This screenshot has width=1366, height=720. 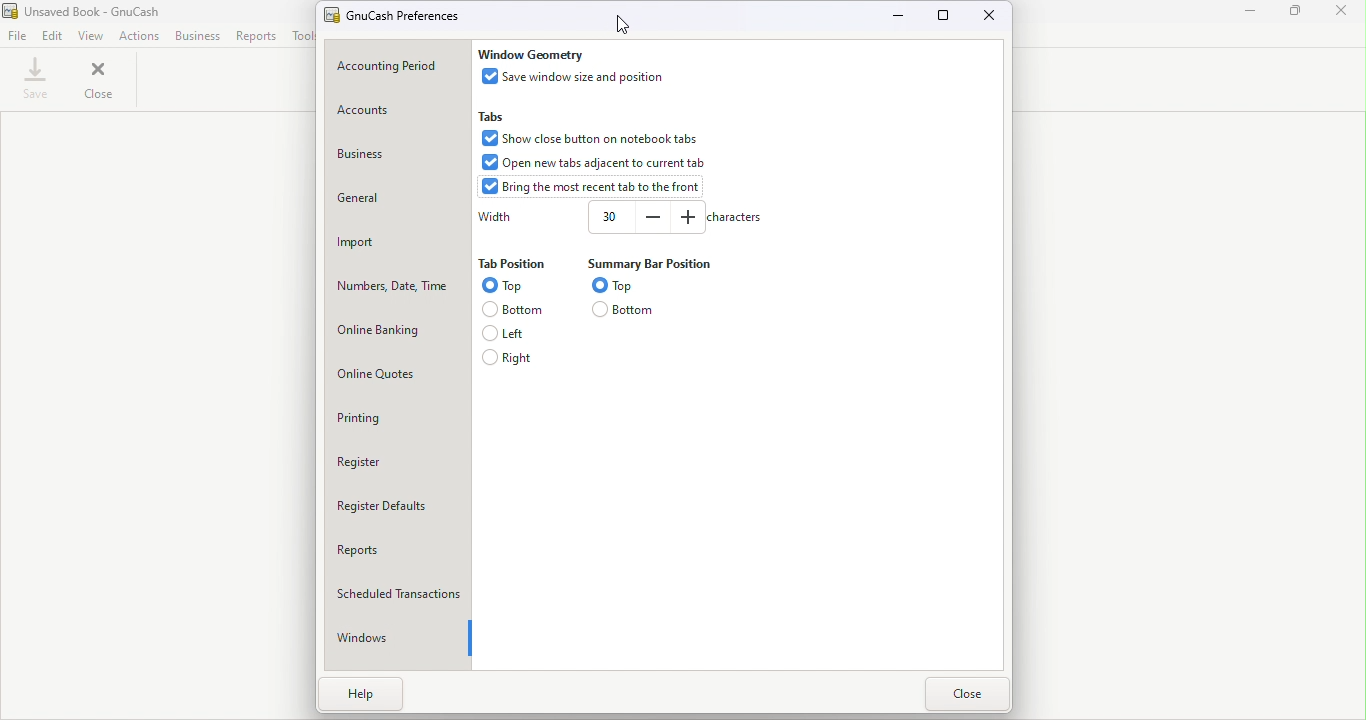 I want to click on Close, so click(x=965, y=695).